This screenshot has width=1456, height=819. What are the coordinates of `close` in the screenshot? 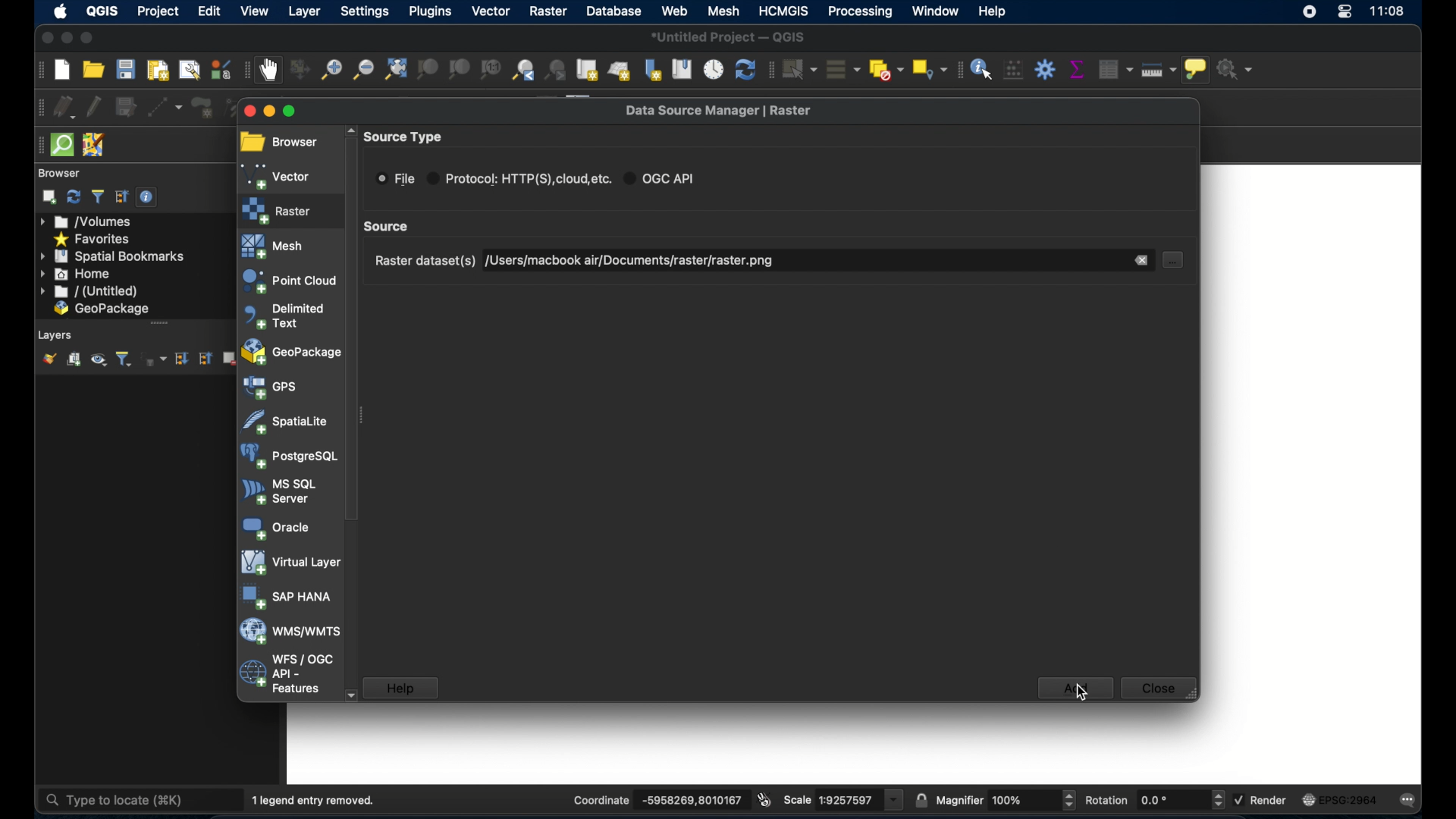 It's located at (44, 39).